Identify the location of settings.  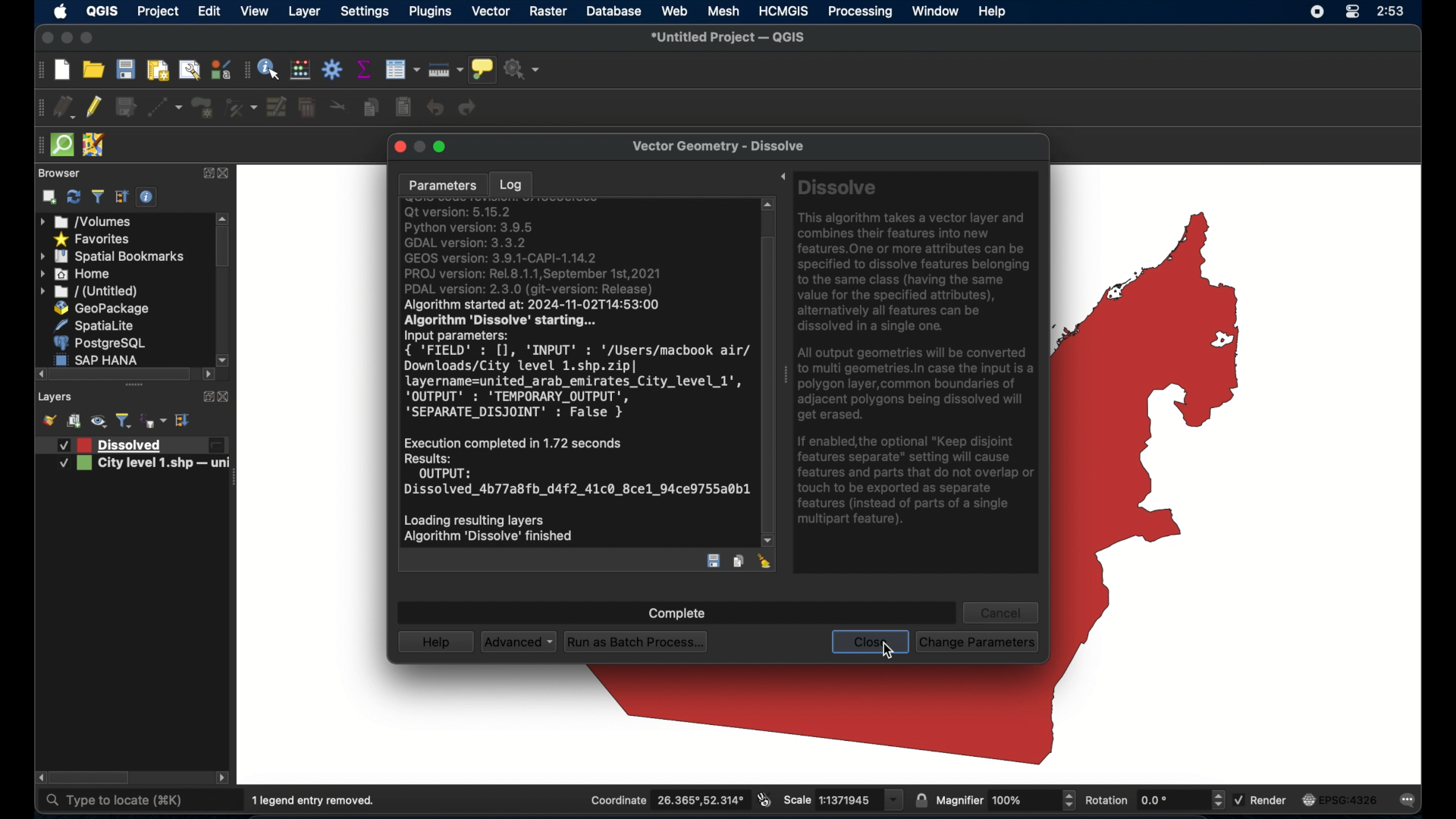
(366, 12).